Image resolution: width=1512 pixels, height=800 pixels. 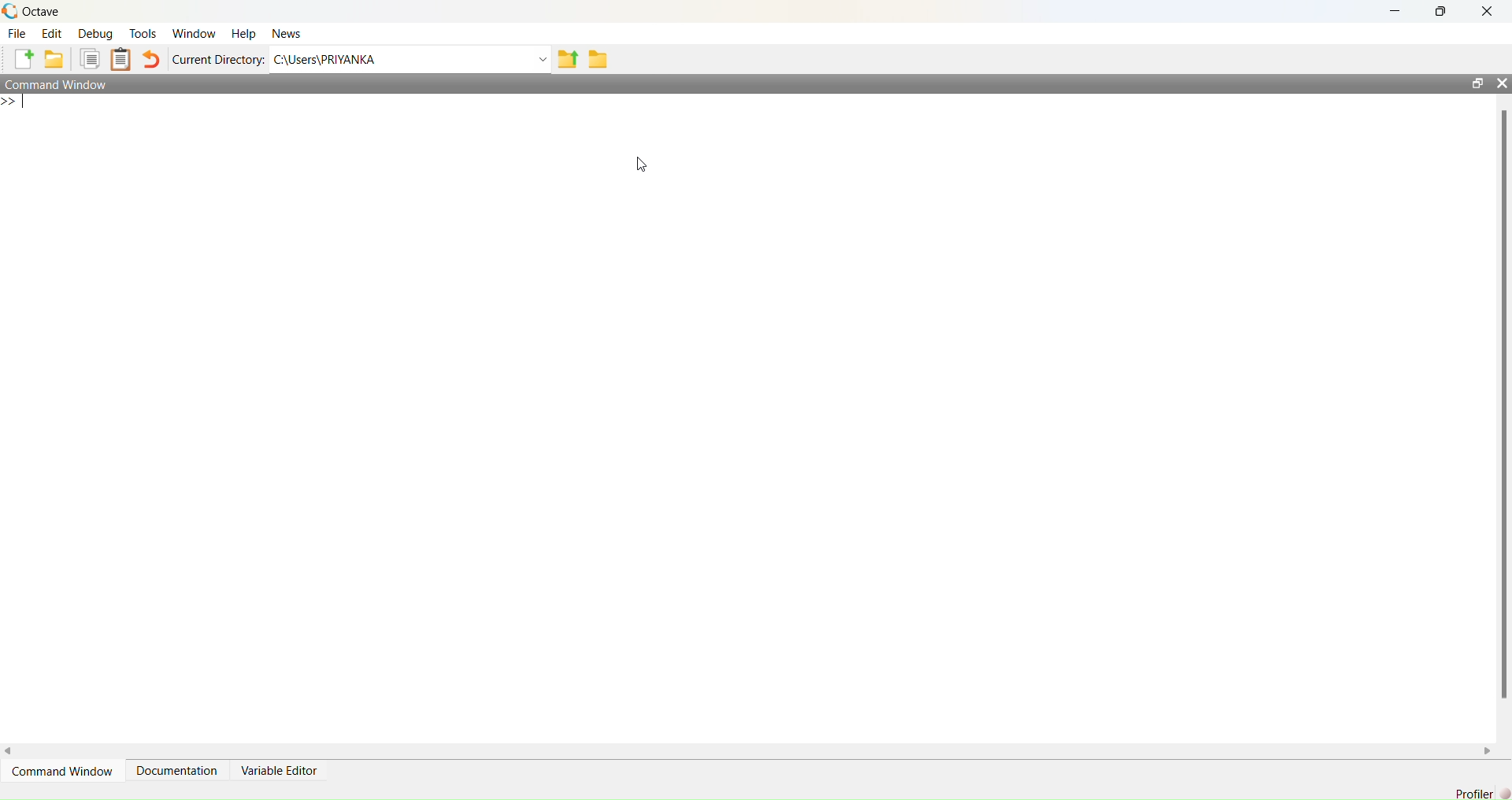 What do you see at coordinates (332, 60) in the screenshot?
I see `C:\Users\PRIYANKA` at bounding box center [332, 60].